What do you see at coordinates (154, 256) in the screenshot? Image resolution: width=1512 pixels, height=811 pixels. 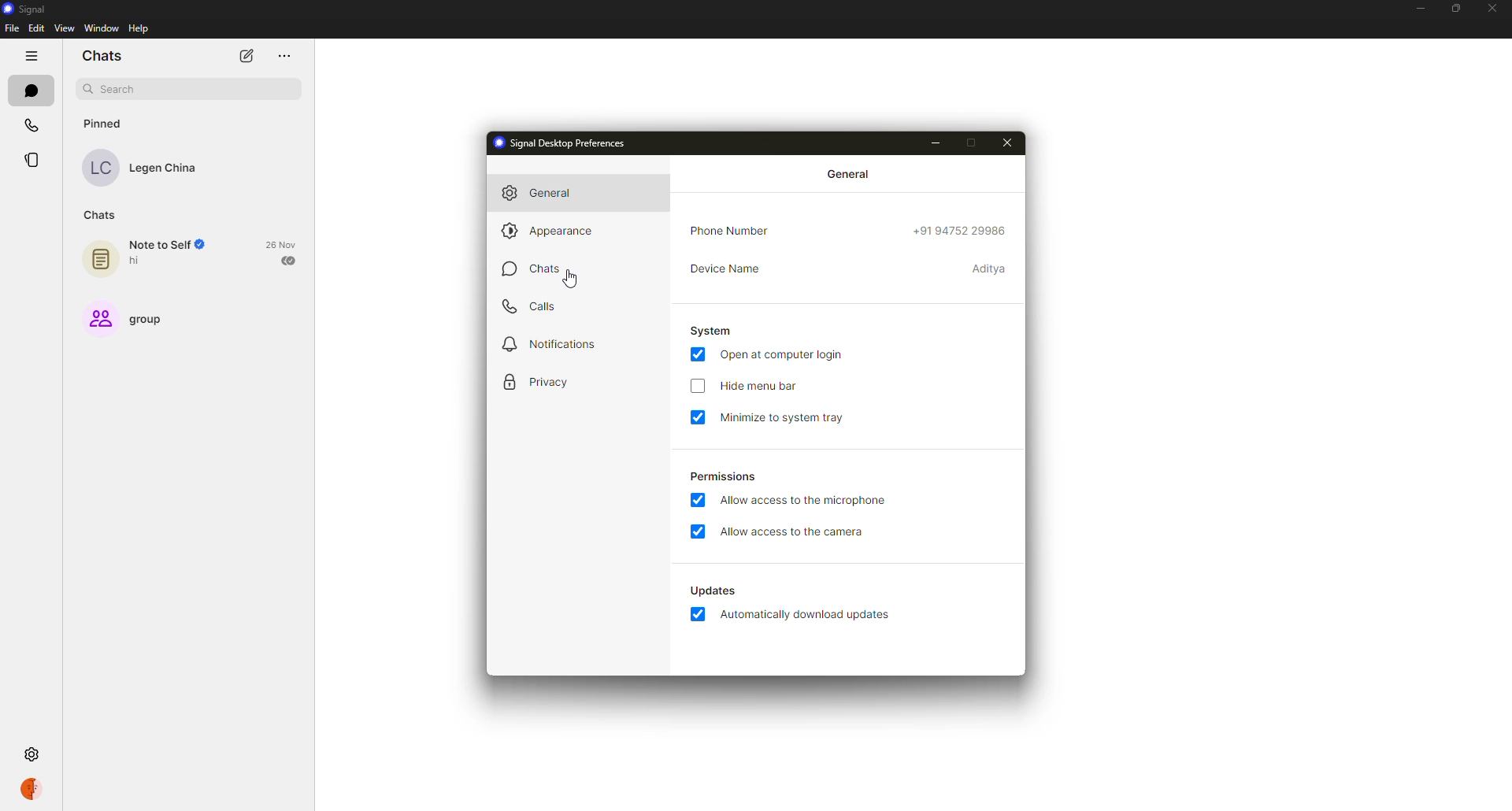 I see `note to self` at bounding box center [154, 256].